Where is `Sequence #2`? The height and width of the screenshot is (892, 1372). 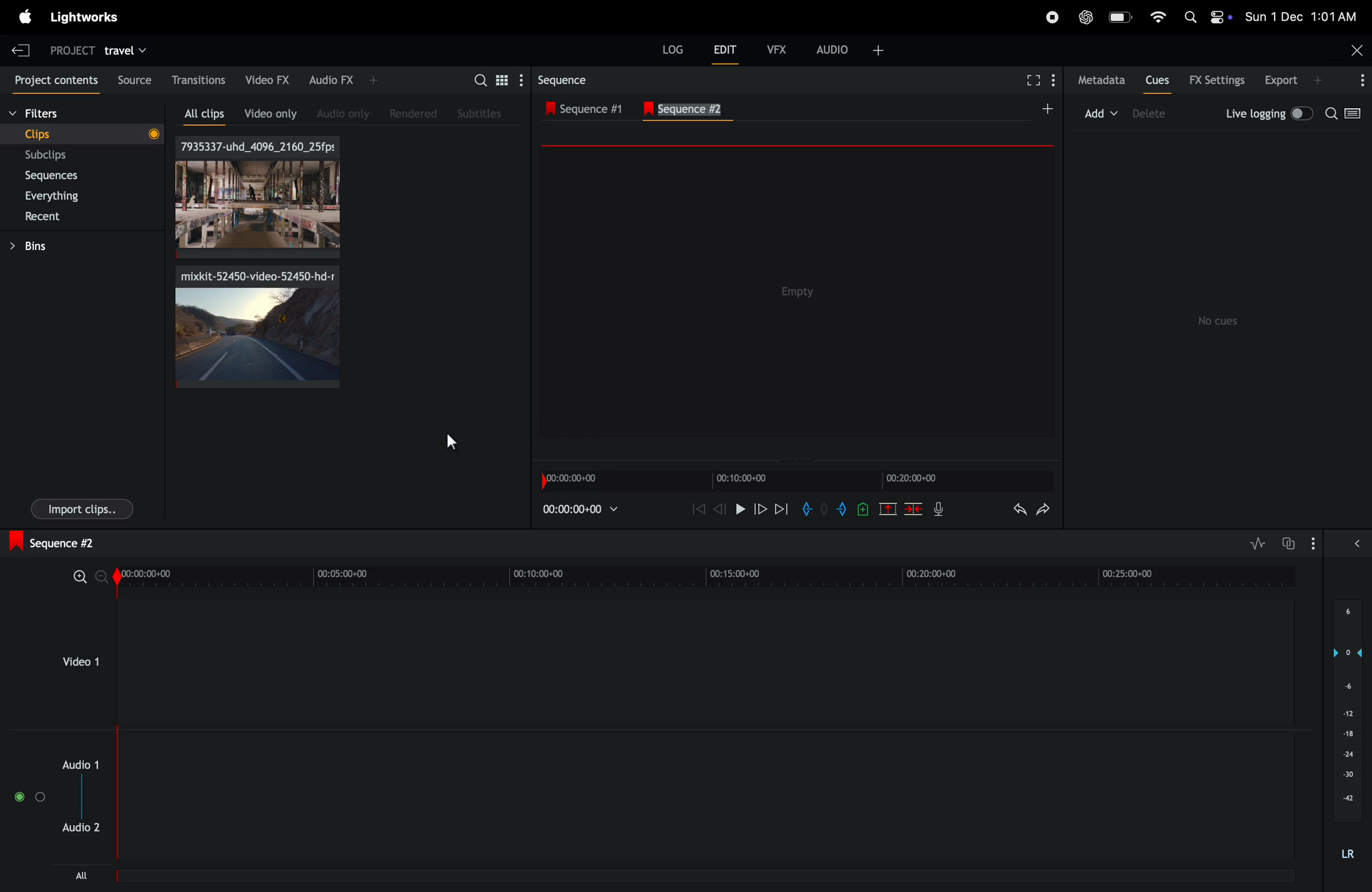
Sequence #2 is located at coordinates (698, 109).